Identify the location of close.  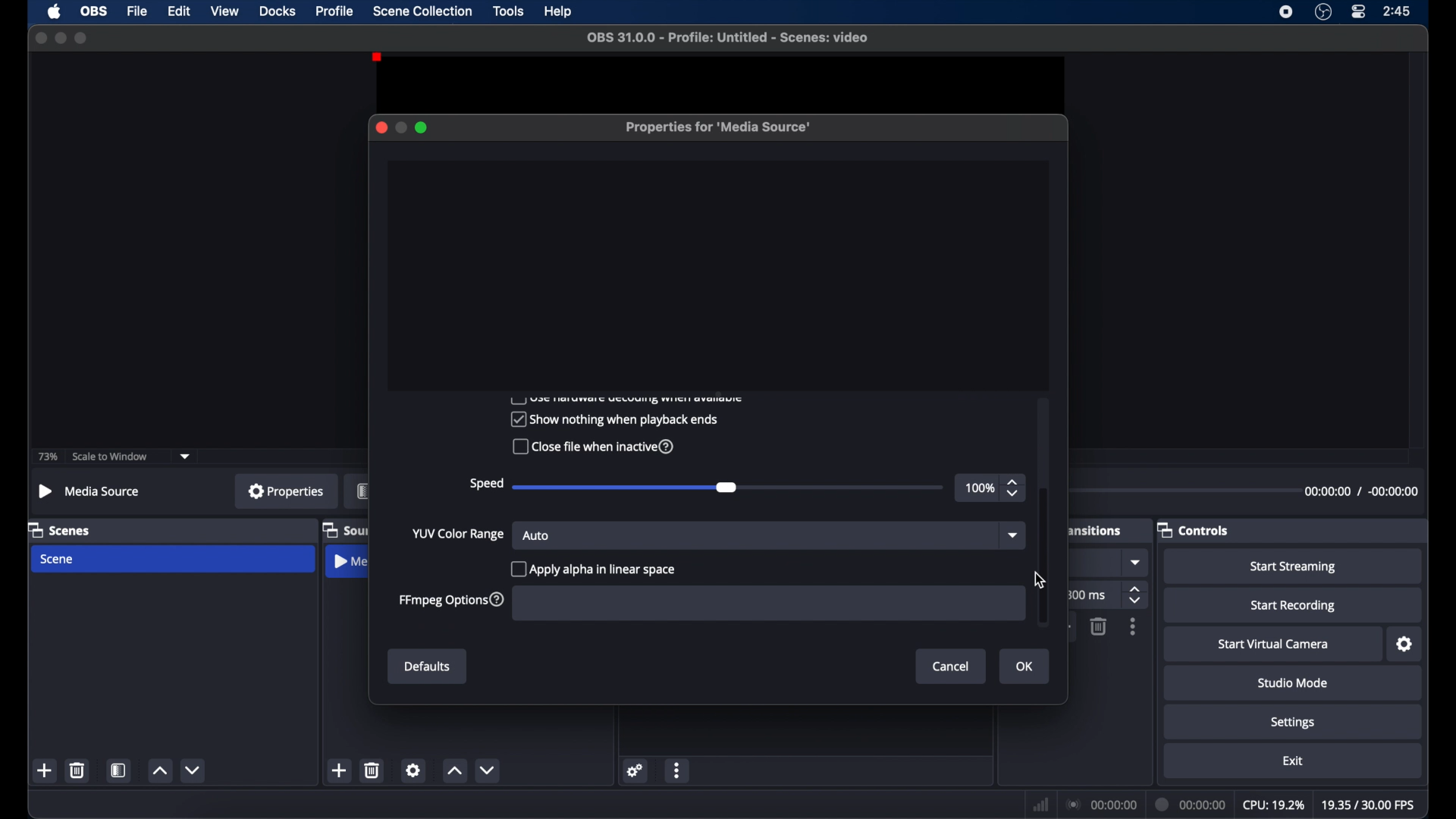
(38, 37).